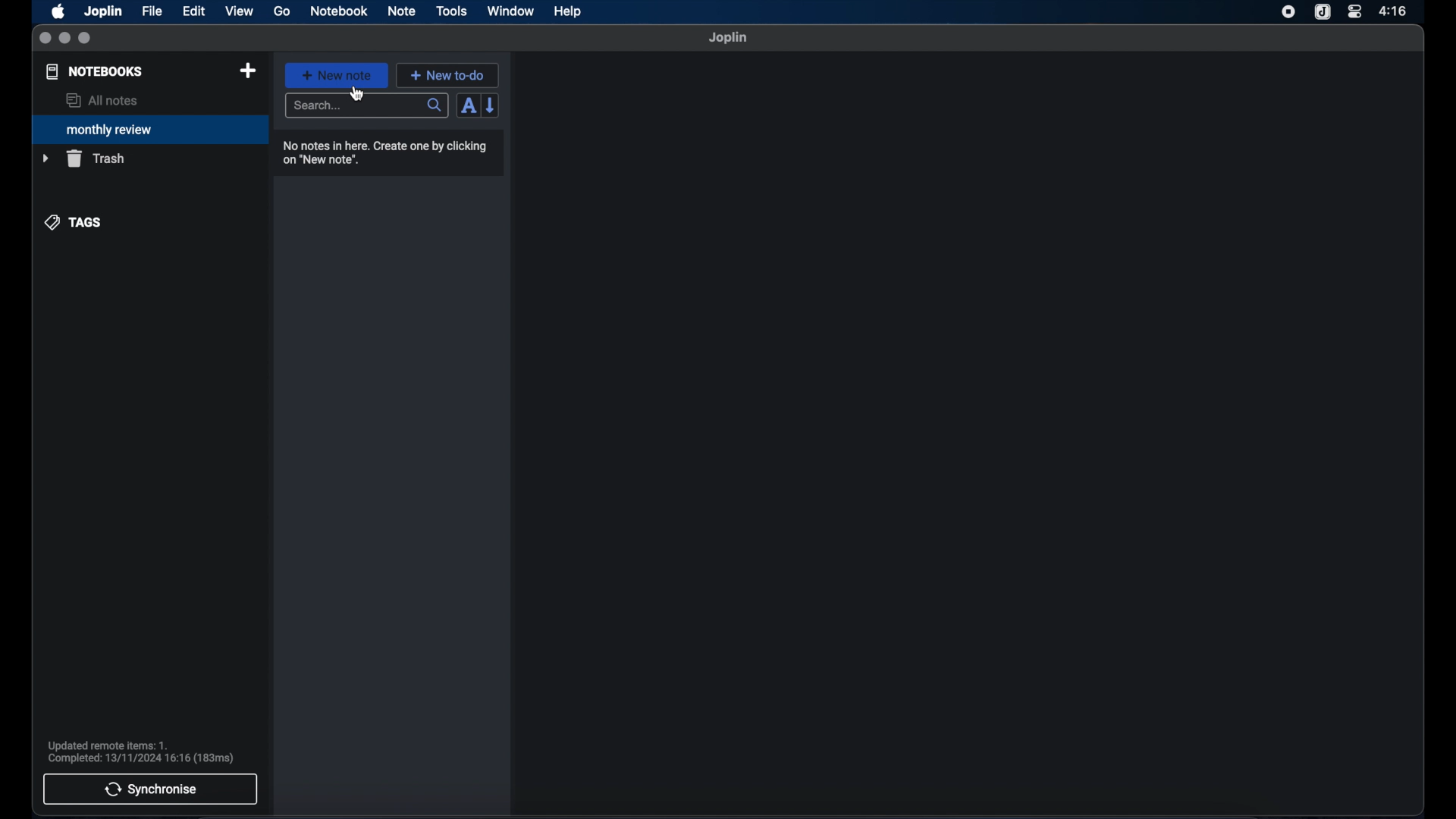 This screenshot has height=819, width=1456. Describe the element at coordinates (239, 11) in the screenshot. I see `view` at that location.